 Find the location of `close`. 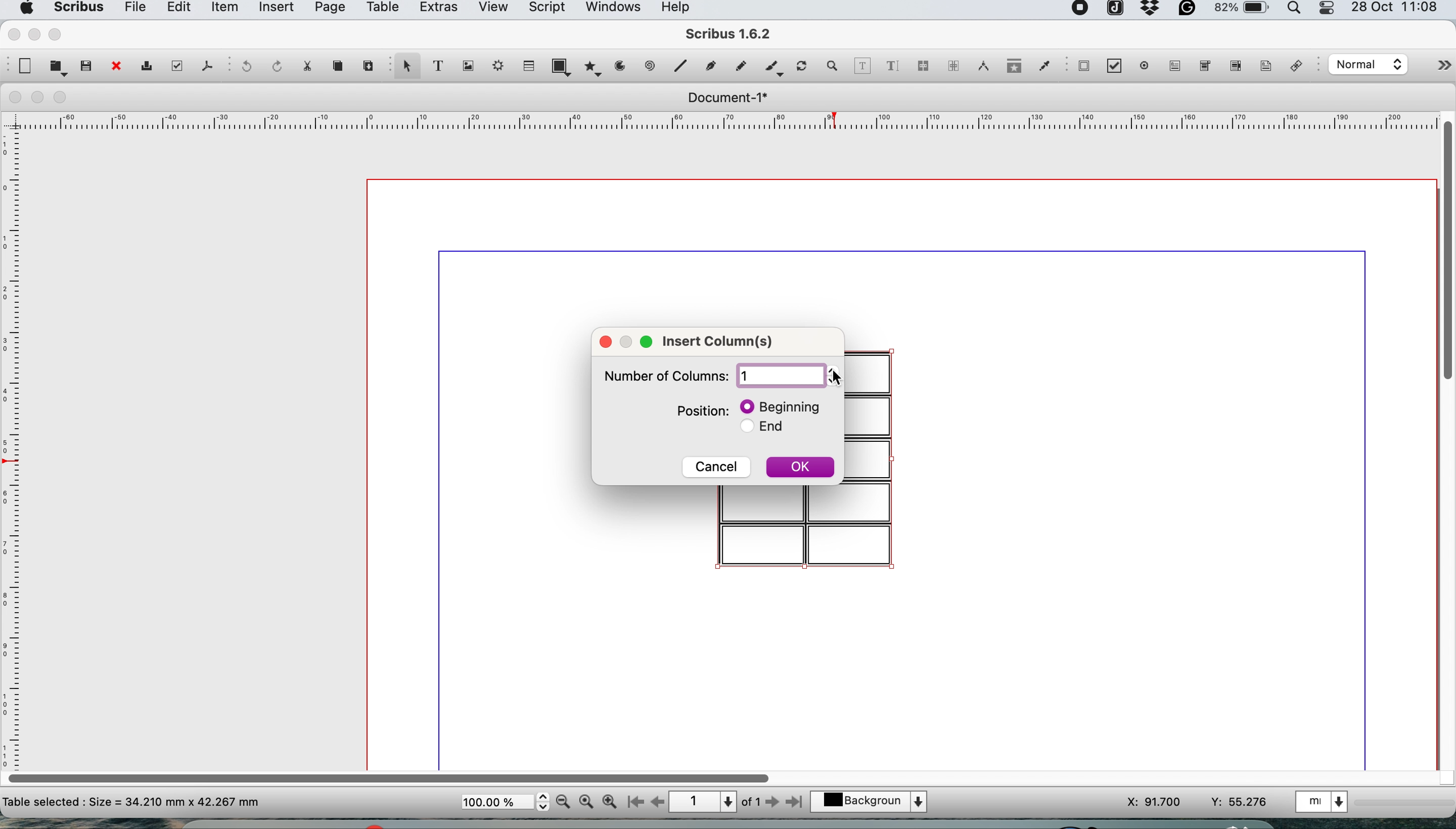

close is located at coordinates (13, 97).